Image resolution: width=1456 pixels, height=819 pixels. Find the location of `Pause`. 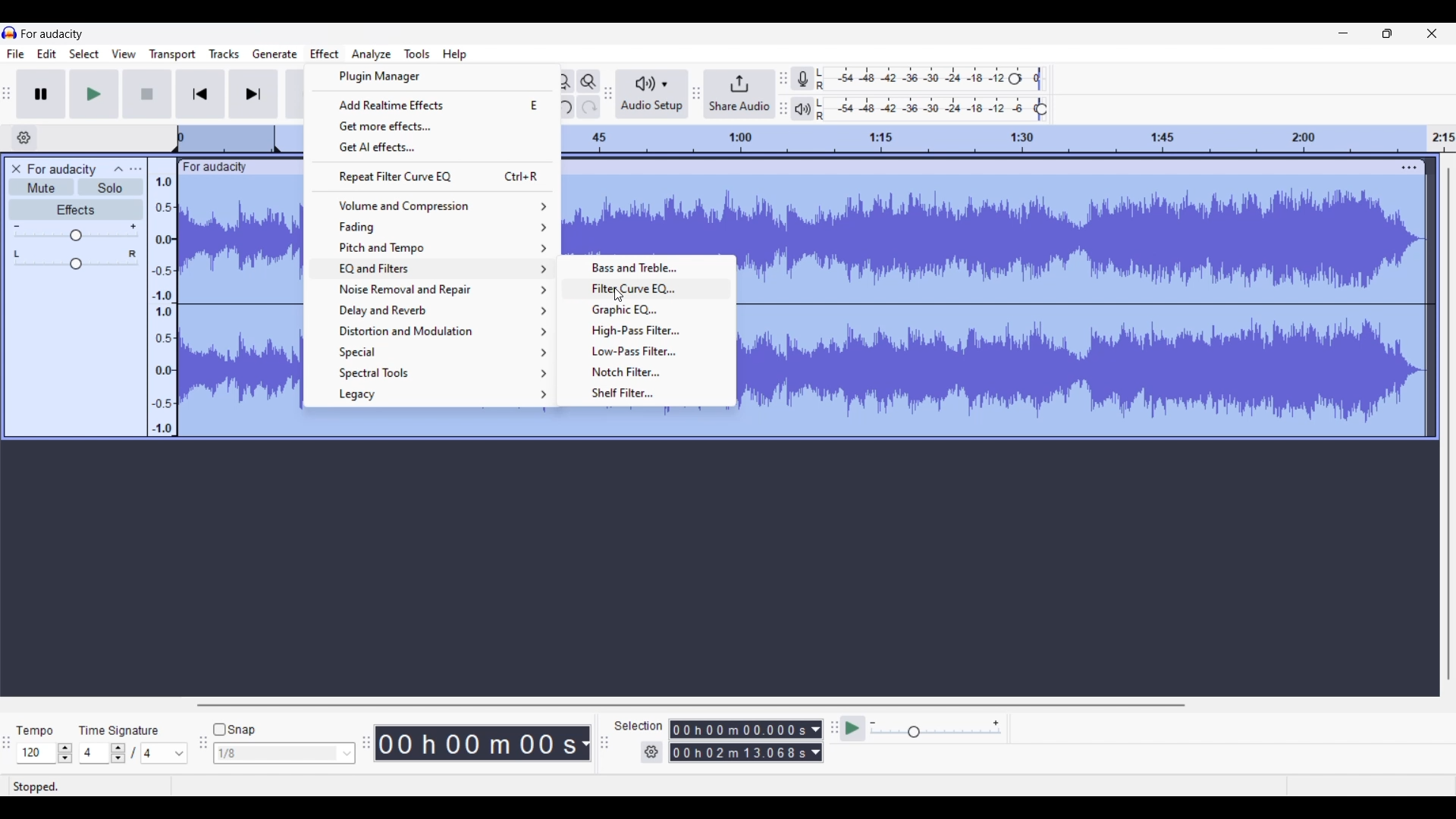

Pause is located at coordinates (41, 93).